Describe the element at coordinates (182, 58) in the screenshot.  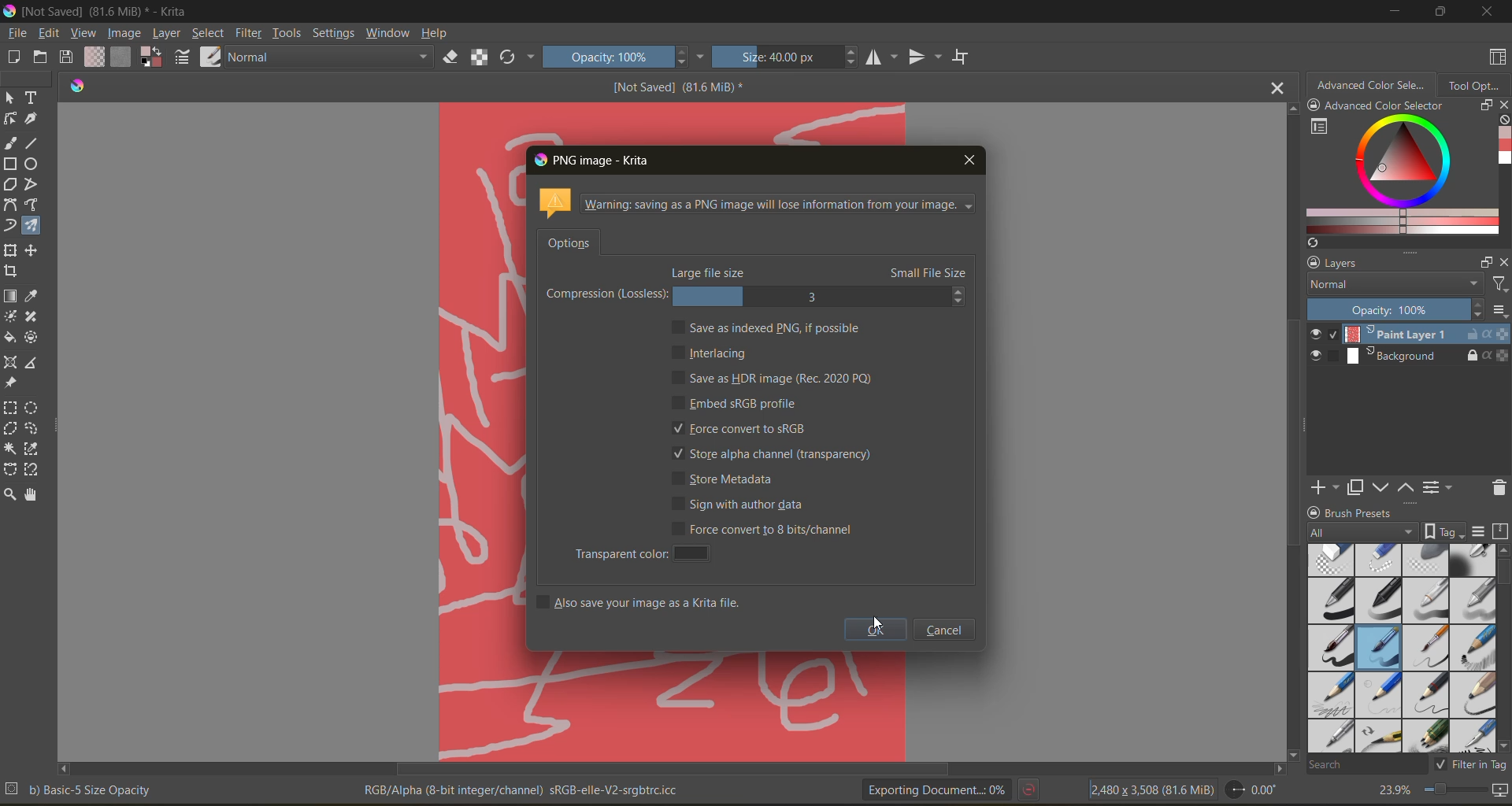
I see `edit brush settings` at that location.